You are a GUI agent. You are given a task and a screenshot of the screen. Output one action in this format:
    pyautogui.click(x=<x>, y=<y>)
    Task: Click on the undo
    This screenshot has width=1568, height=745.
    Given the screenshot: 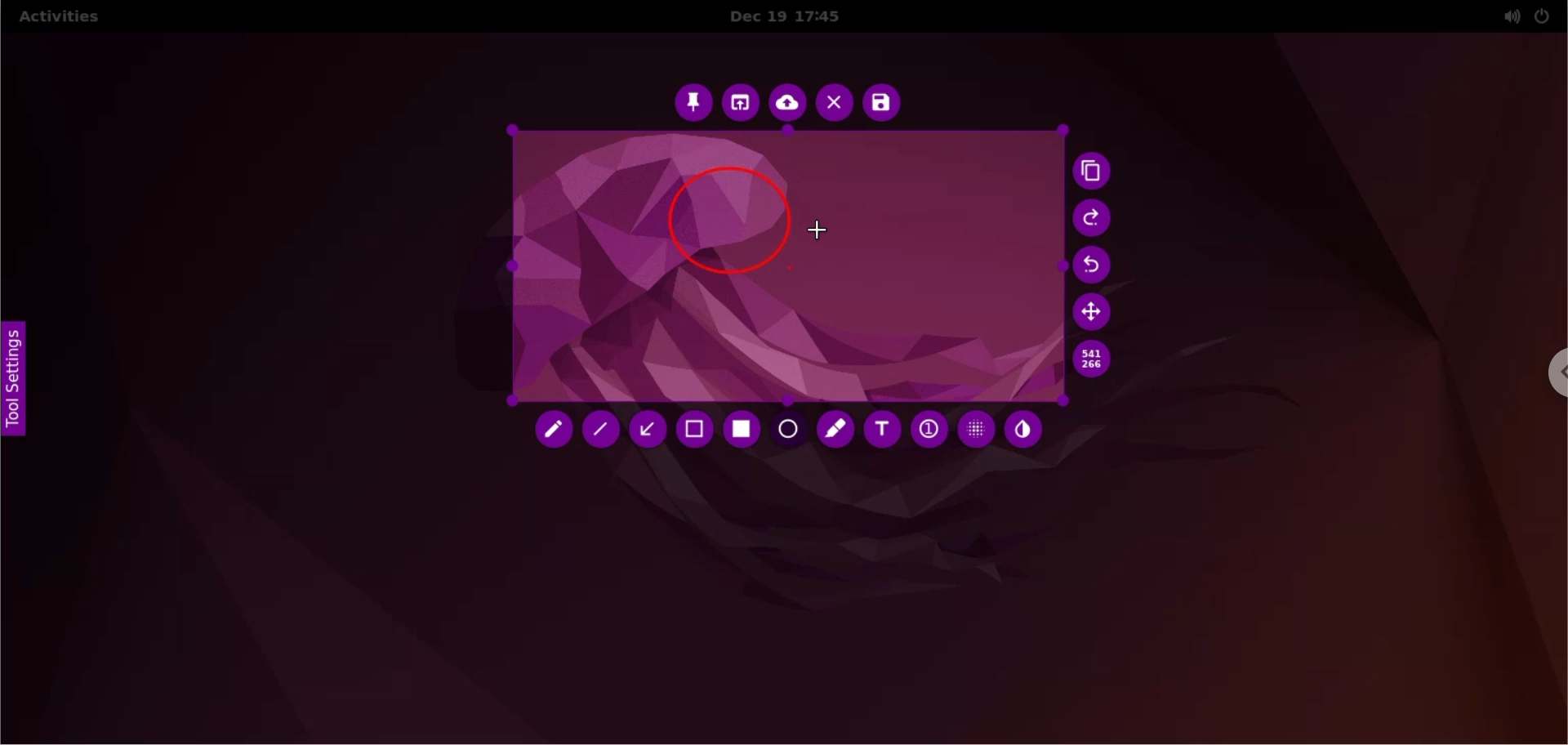 What is the action you would take?
    pyautogui.click(x=1098, y=266)
    